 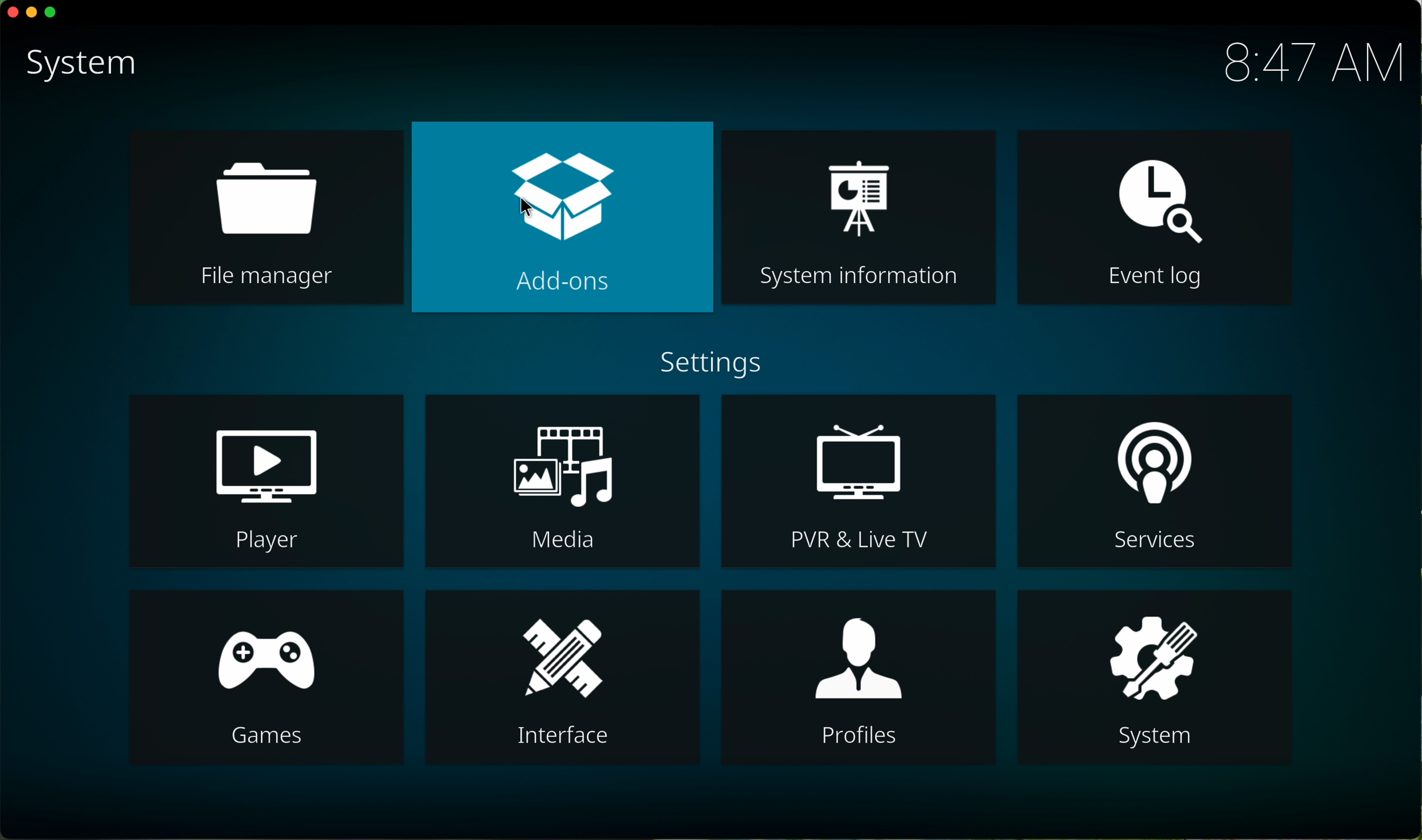 What do you see at coordinates (52, 14) in the screenshot?
I see `maximize program` at bounding box center [52, 14].